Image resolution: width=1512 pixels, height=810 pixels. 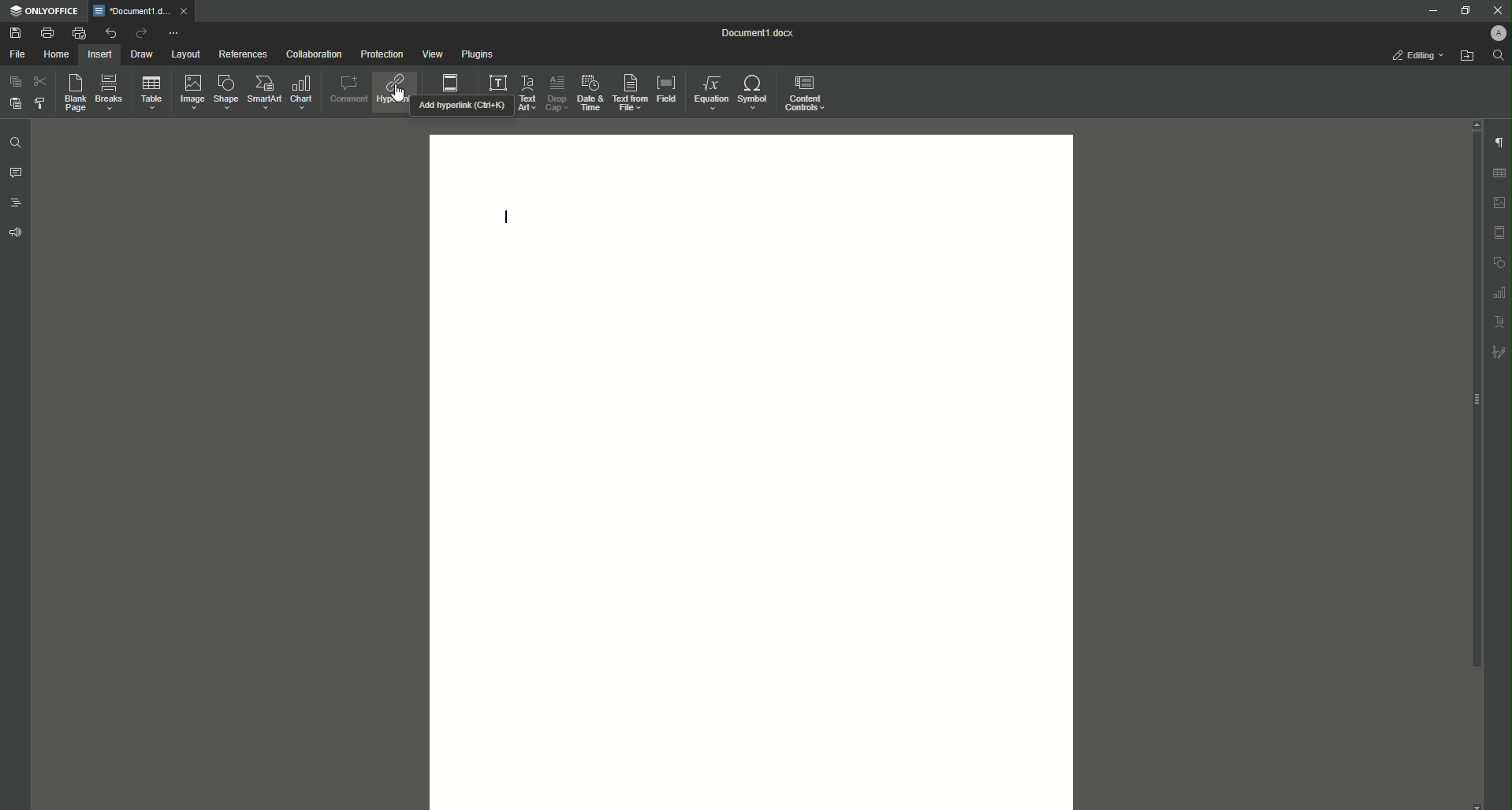 What do you see at coordinates (504, 218) in the screenshot?
I see `Text Line` at bounding box center [504, 218].